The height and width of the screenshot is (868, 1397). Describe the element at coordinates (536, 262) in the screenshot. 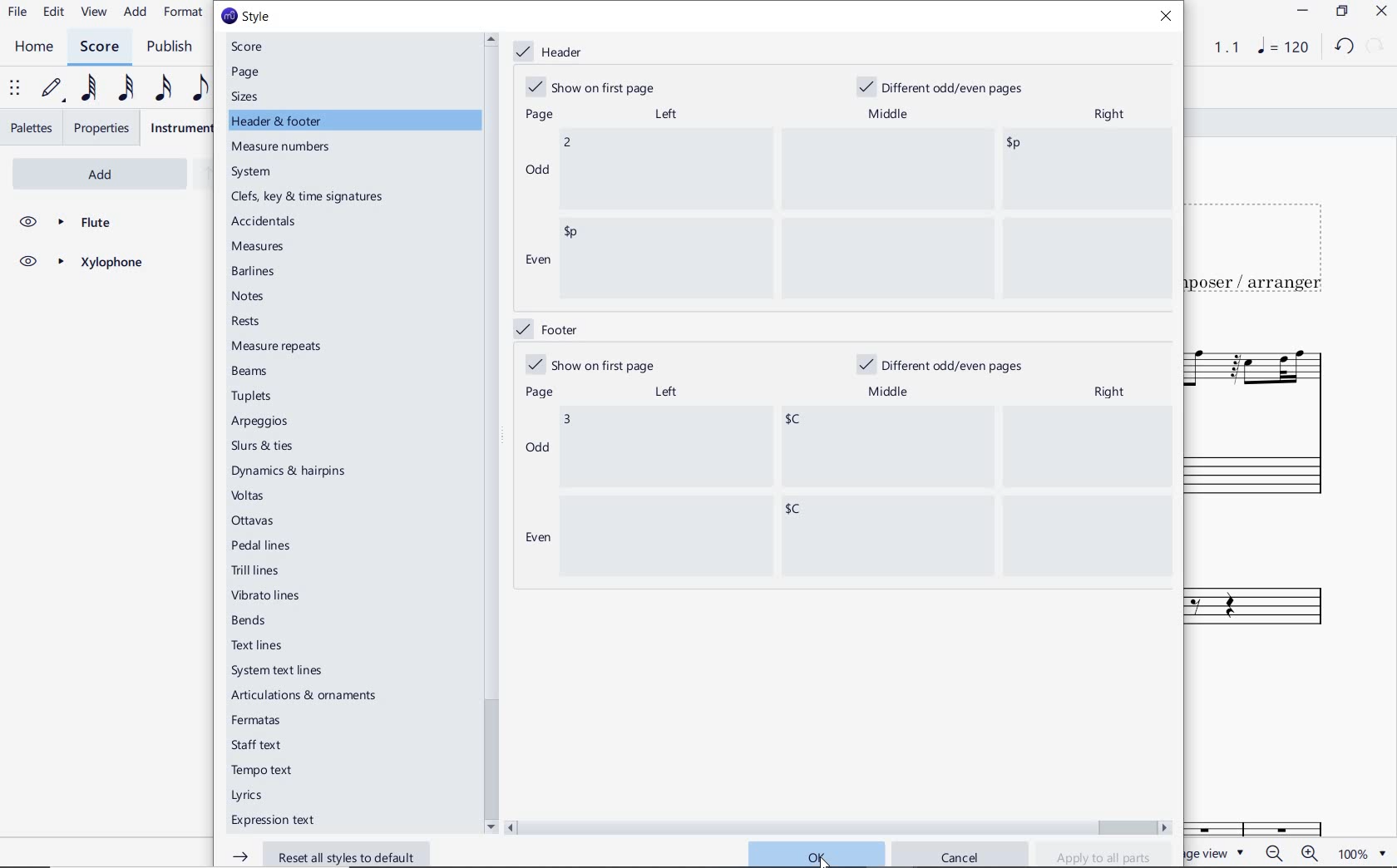

I see `even` at that location.